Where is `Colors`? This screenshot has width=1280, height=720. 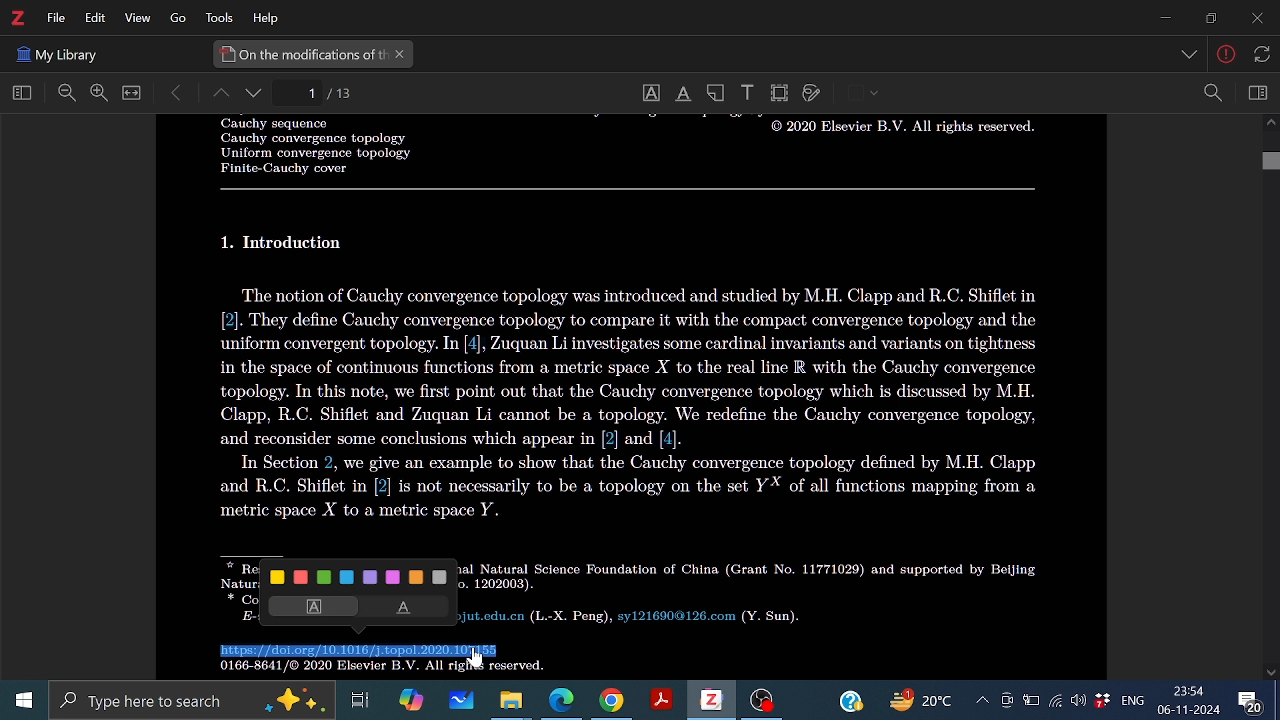
Colors is located at coordinates (361, 576).